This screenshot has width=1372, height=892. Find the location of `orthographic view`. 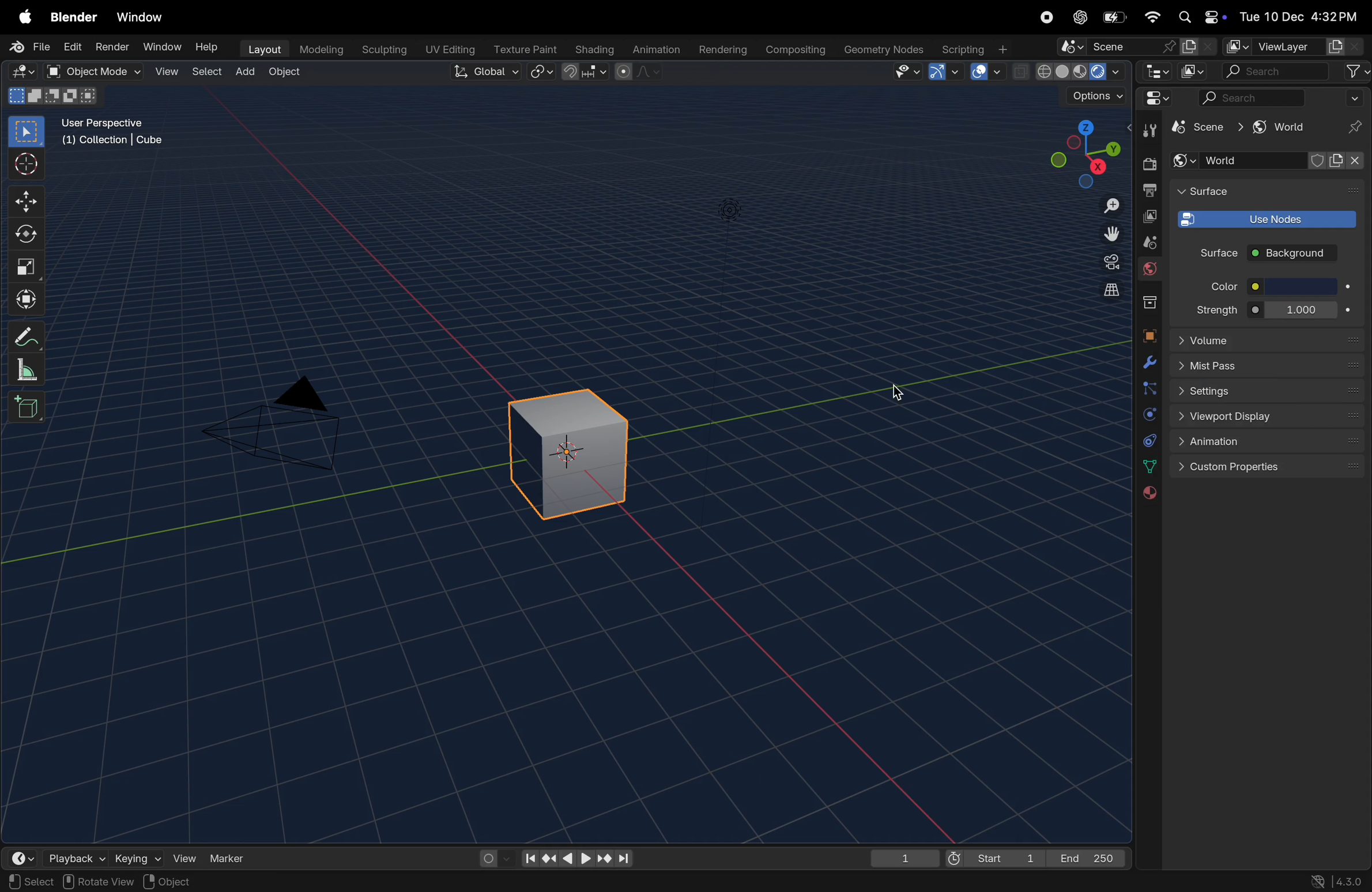

orthographic view is located at coordinates (1105, 290).